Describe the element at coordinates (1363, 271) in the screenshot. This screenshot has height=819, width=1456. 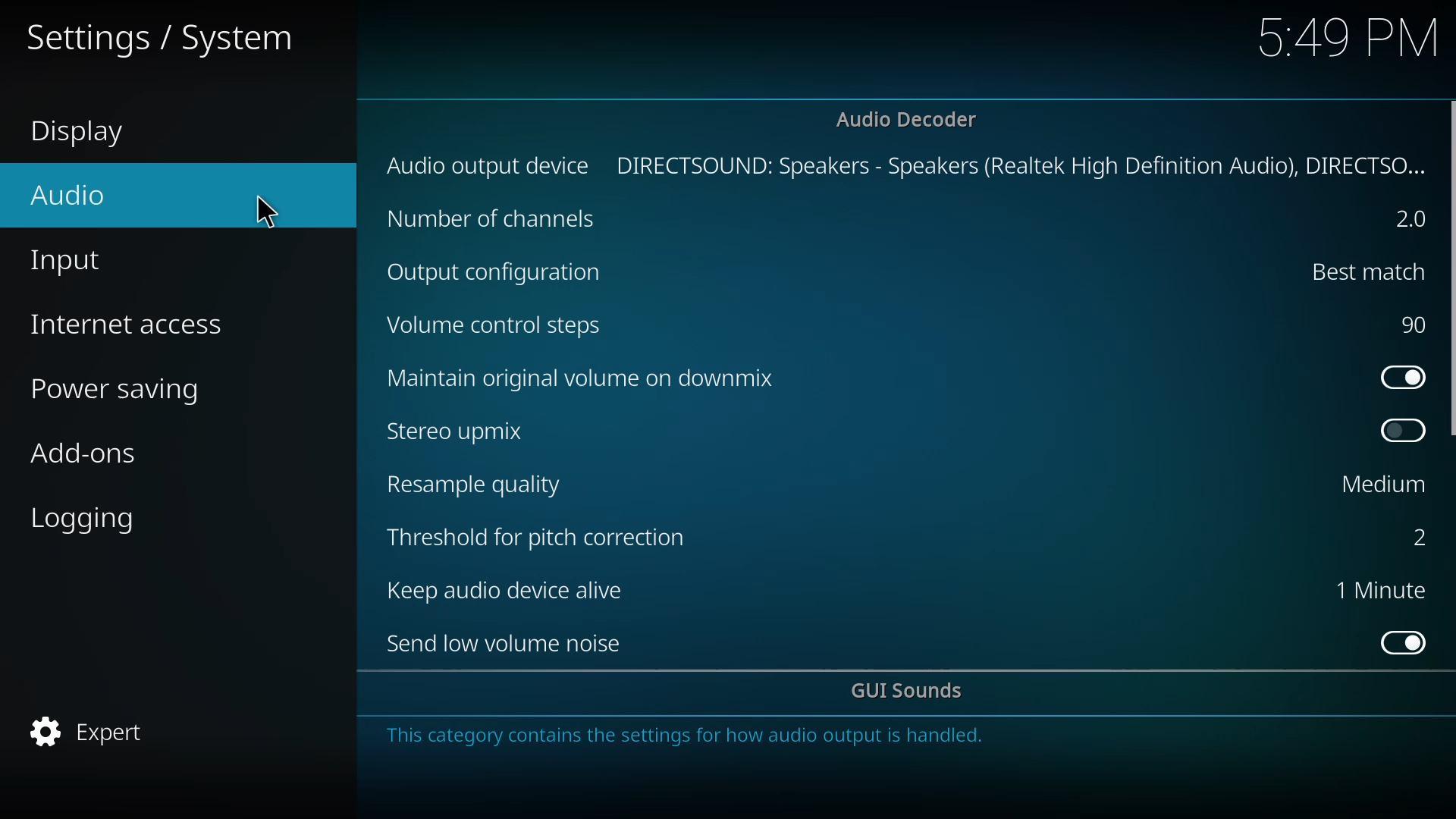
I see `best match` at that location.